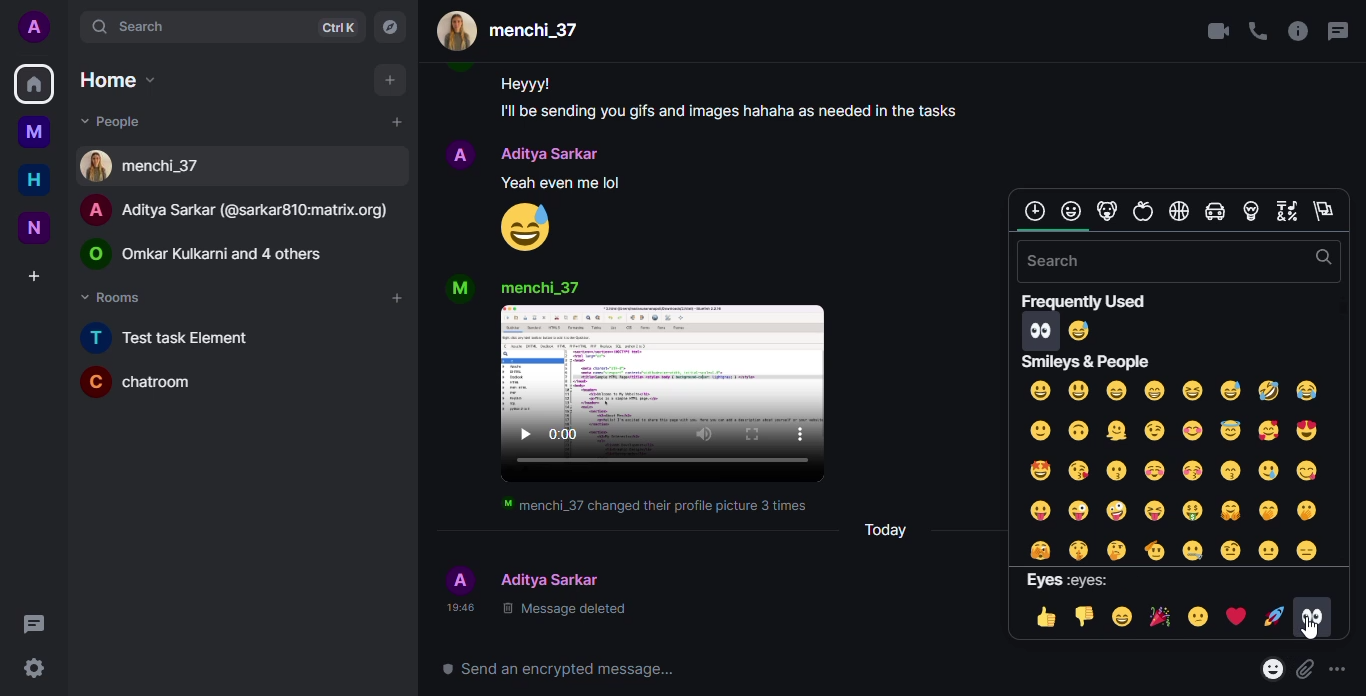 This screenshot has height=696, width=1366. I want to click on frequently used, so click(1086, 302).